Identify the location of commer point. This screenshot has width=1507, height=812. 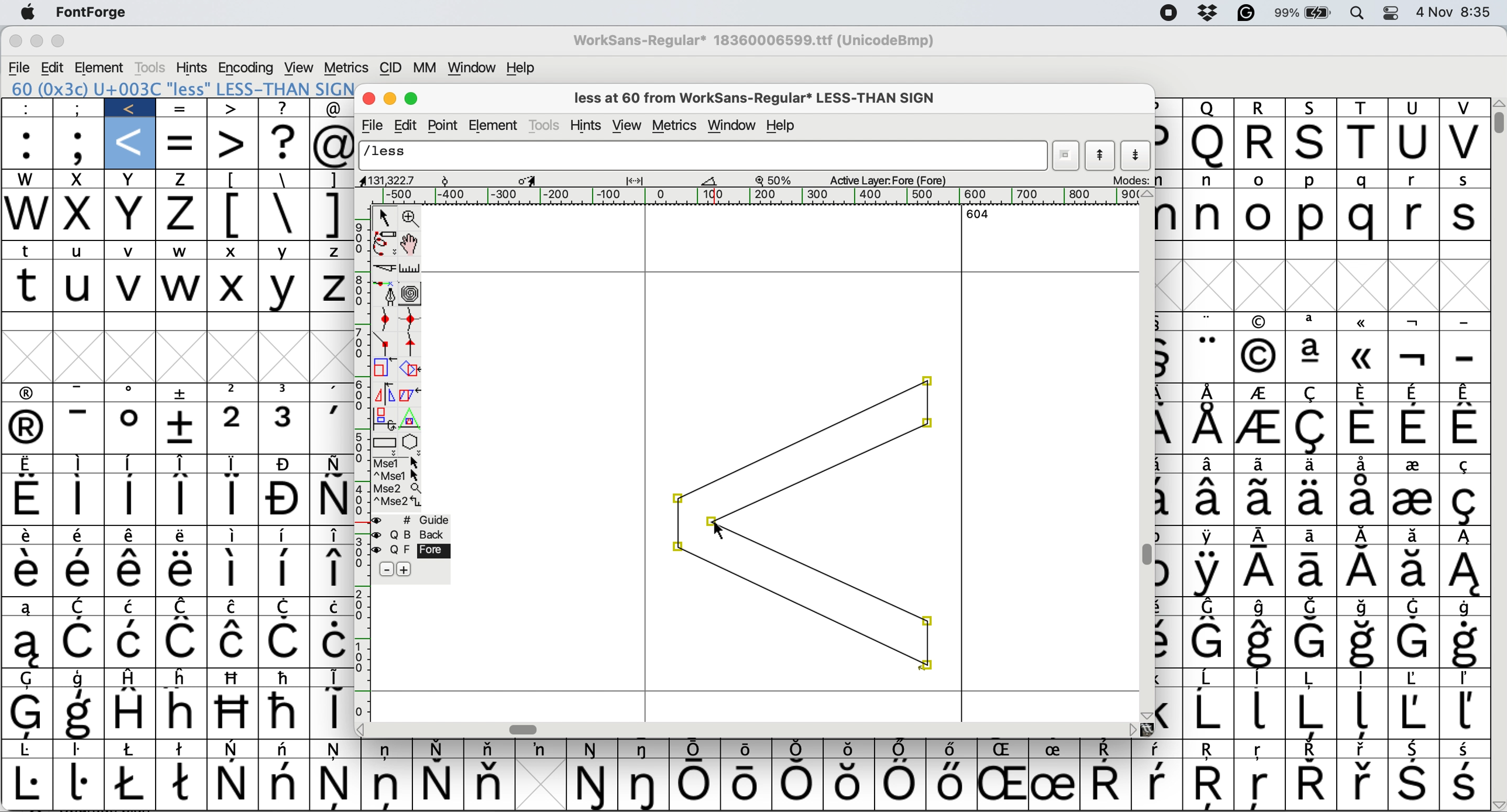
(388, 344).